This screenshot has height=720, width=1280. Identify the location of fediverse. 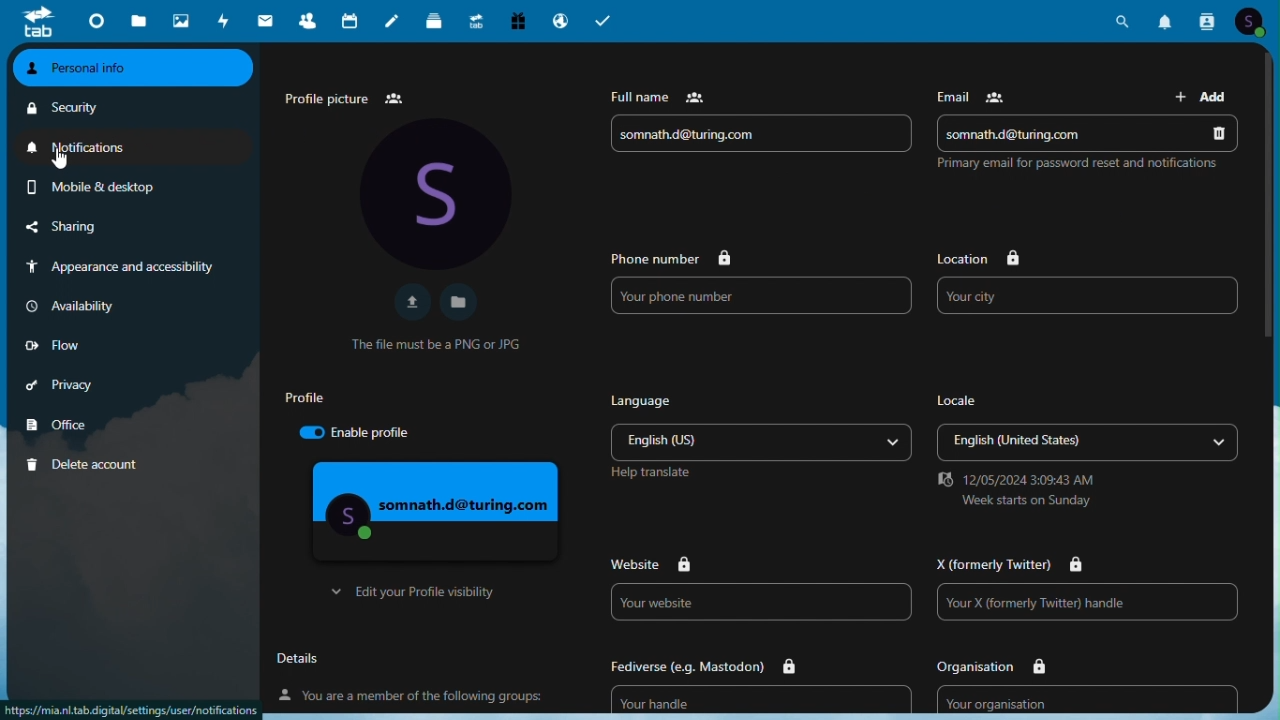
(763, 666).